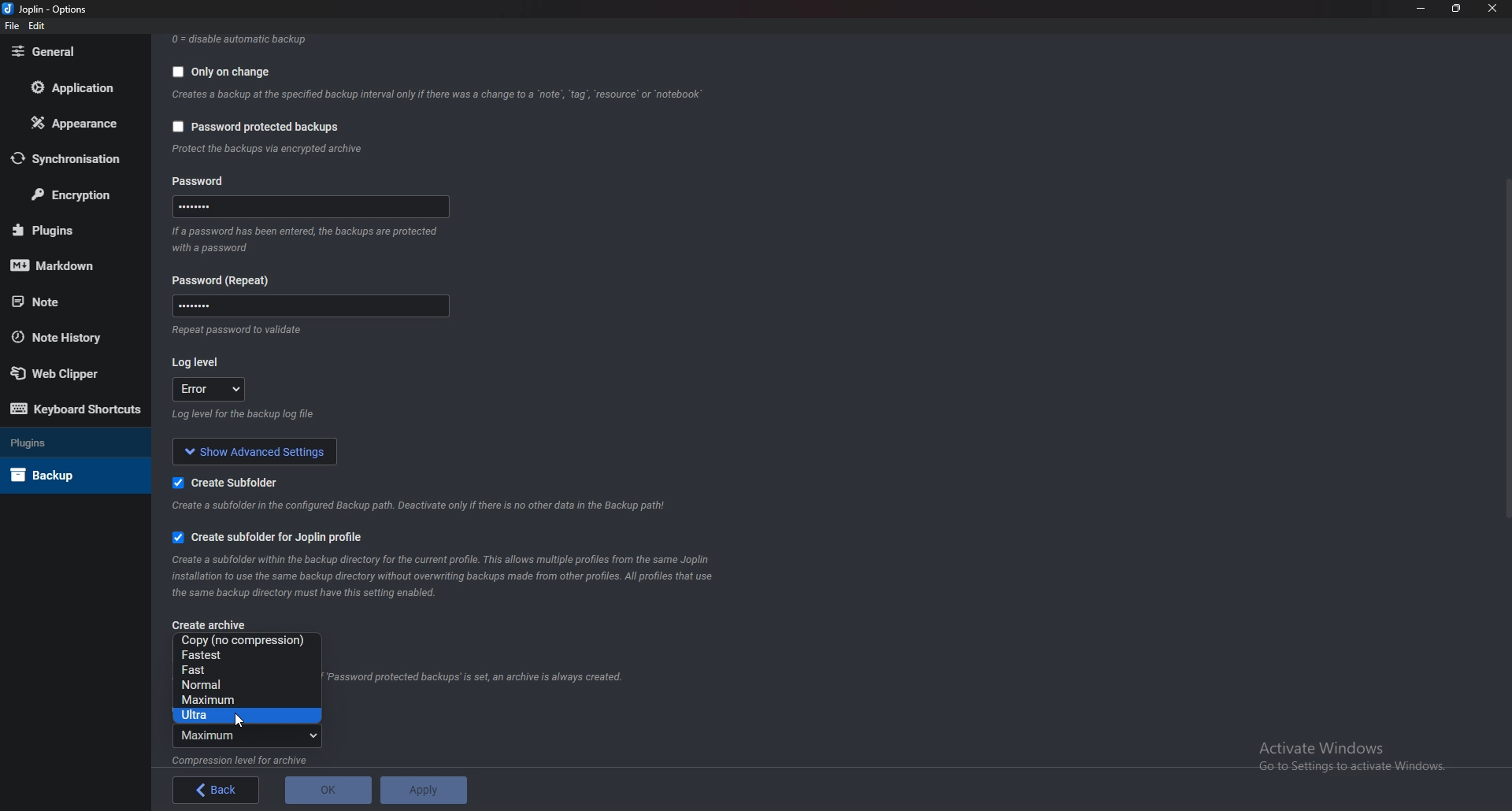 The height and width of the screenshot is (811, 1512). I want to click on Create sub folder, so click(235, 480).